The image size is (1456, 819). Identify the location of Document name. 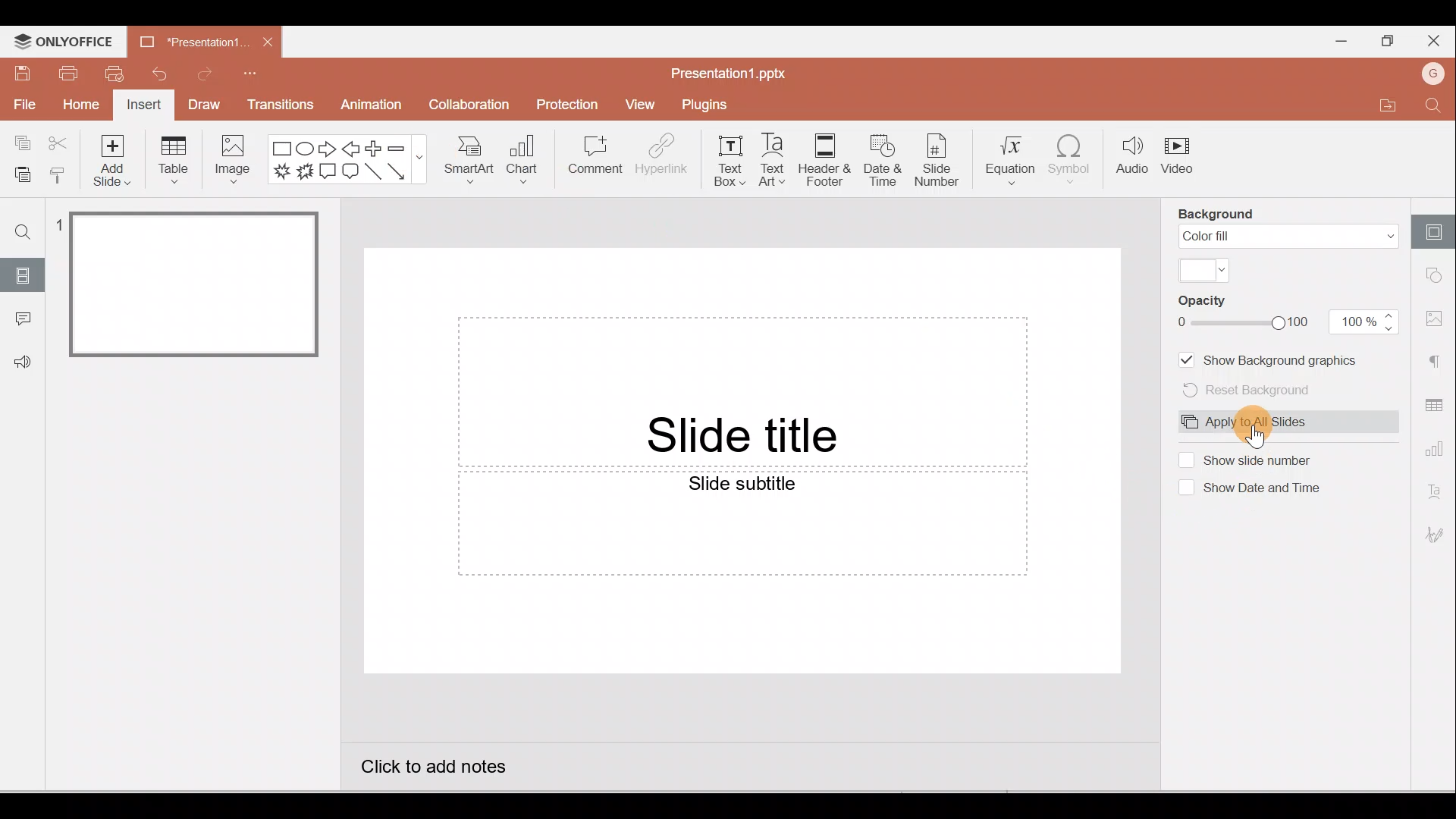
(729, 70).